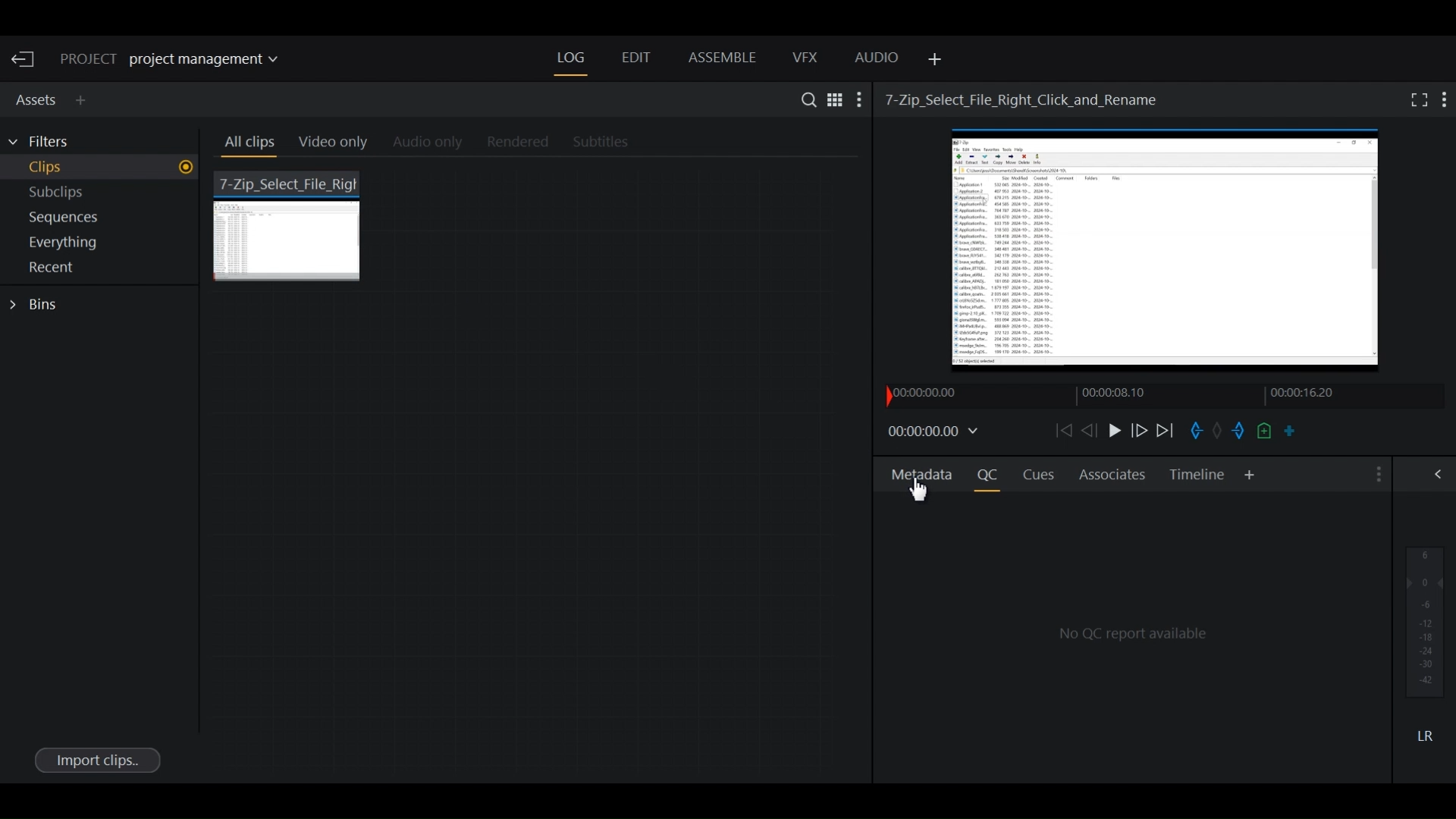 This screenshot has width=1456, height=819. What do you see at coordinates (1425, 735) in the screenshot?
I see `Mute` at bounding box center [1425, 735].